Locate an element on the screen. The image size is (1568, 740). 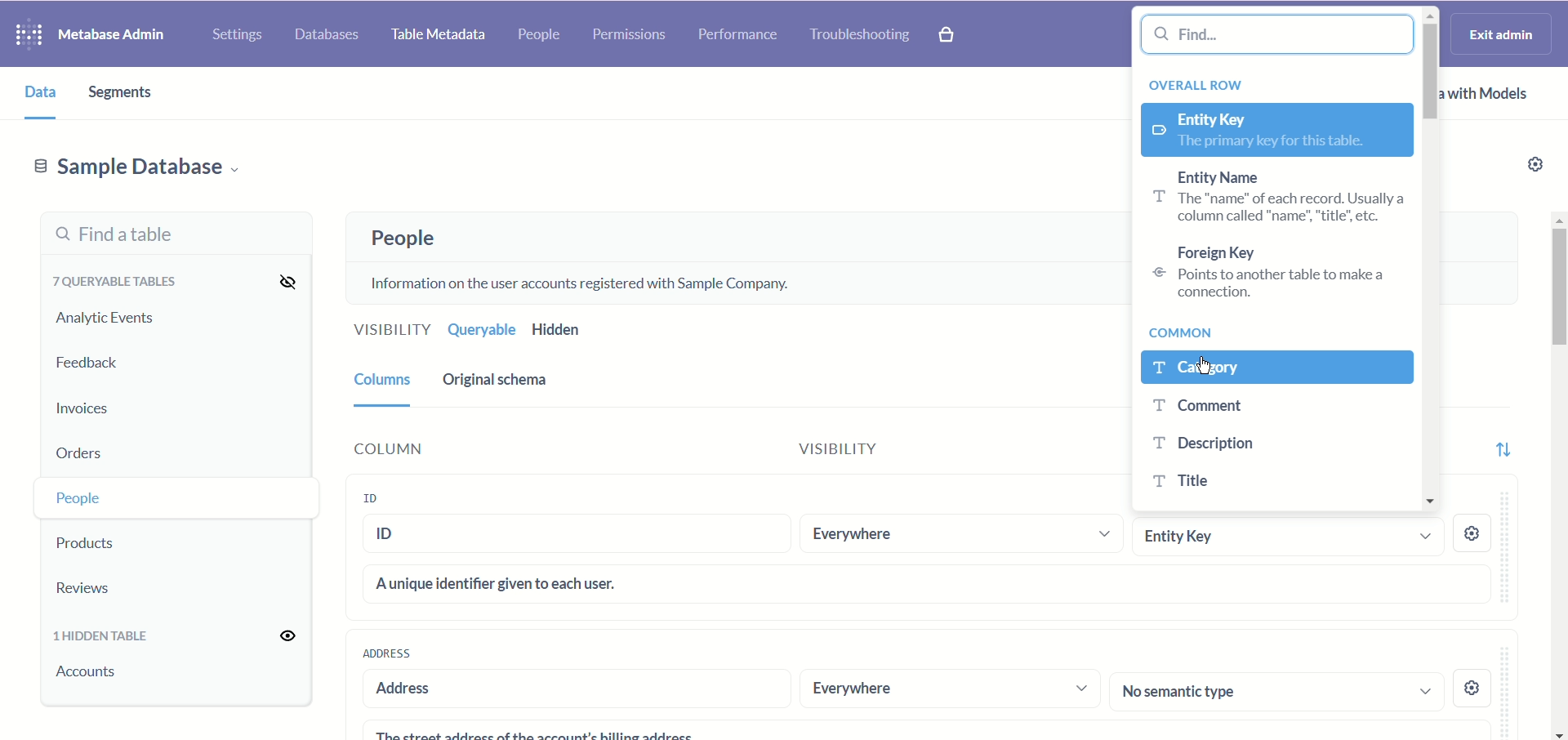
segments is located at coordinates (129, 93).